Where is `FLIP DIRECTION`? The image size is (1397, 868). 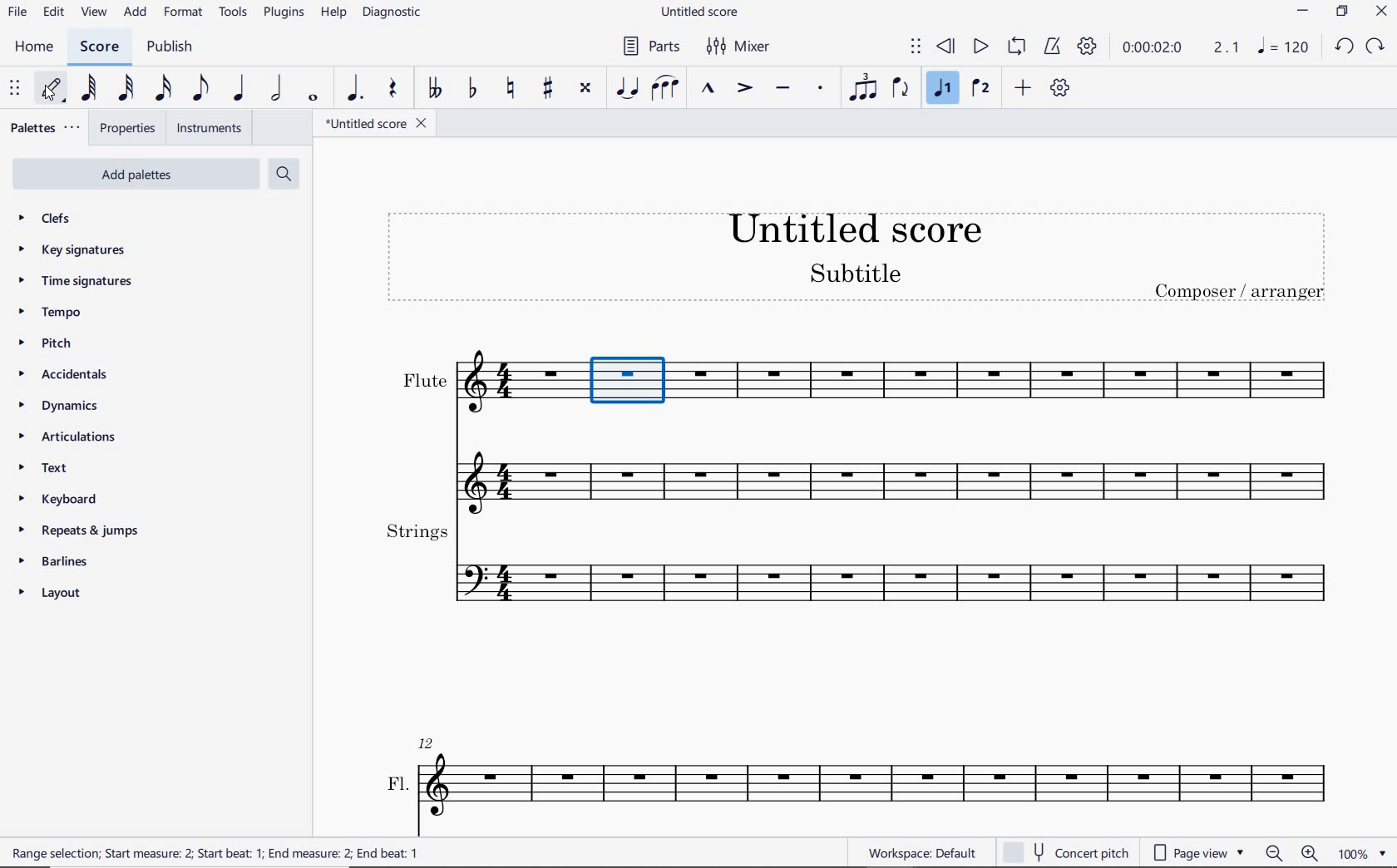
FLIP DIRECTION is located at coordinates (901, 90).